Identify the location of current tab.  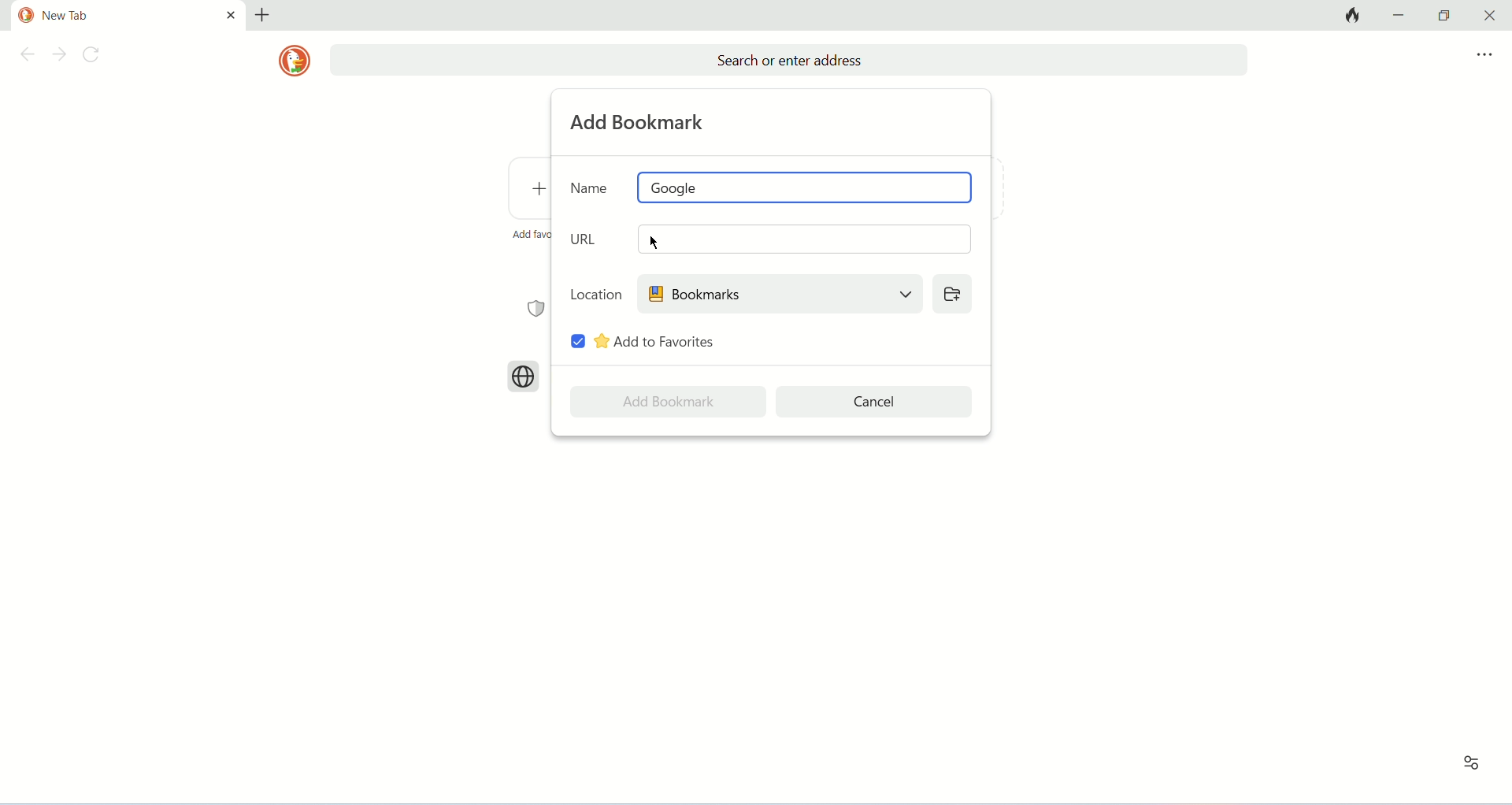
(112, 16).